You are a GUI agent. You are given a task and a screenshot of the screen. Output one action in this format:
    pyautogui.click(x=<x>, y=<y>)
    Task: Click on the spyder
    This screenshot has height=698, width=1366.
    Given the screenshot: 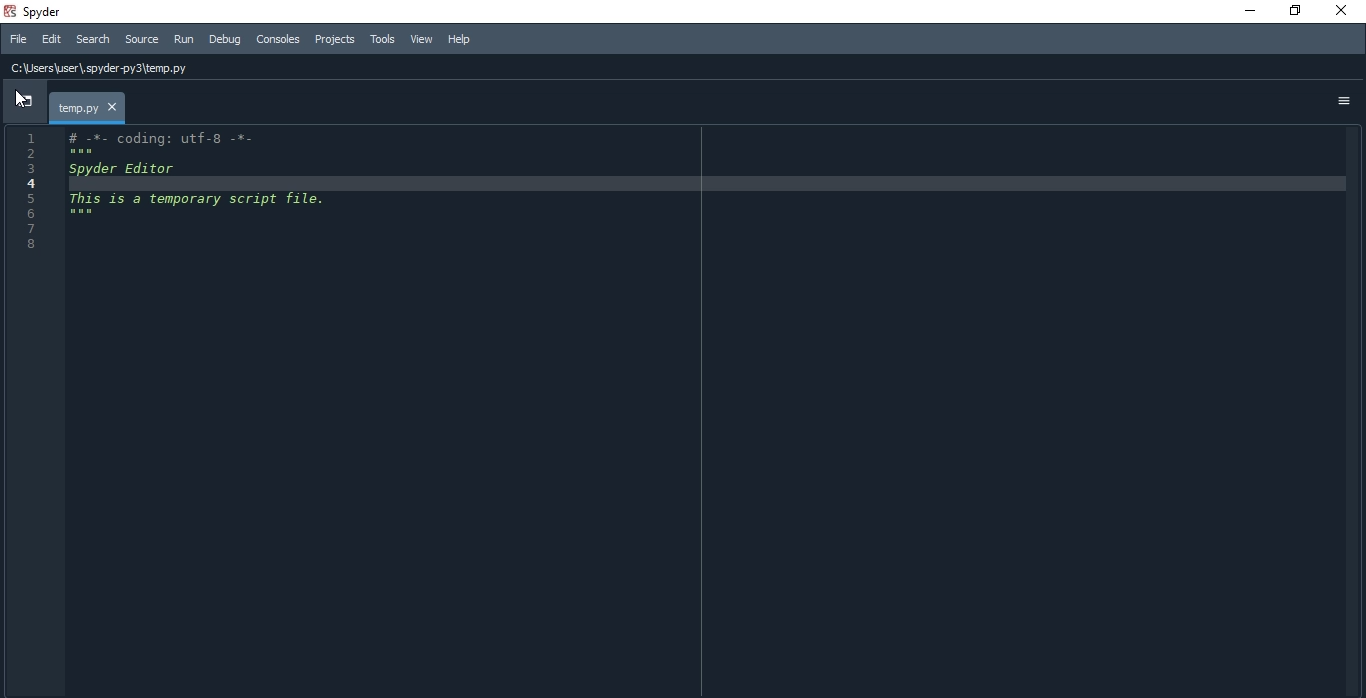 What is the action you would take?
    pyautogui.click(x=50, y=11)
    